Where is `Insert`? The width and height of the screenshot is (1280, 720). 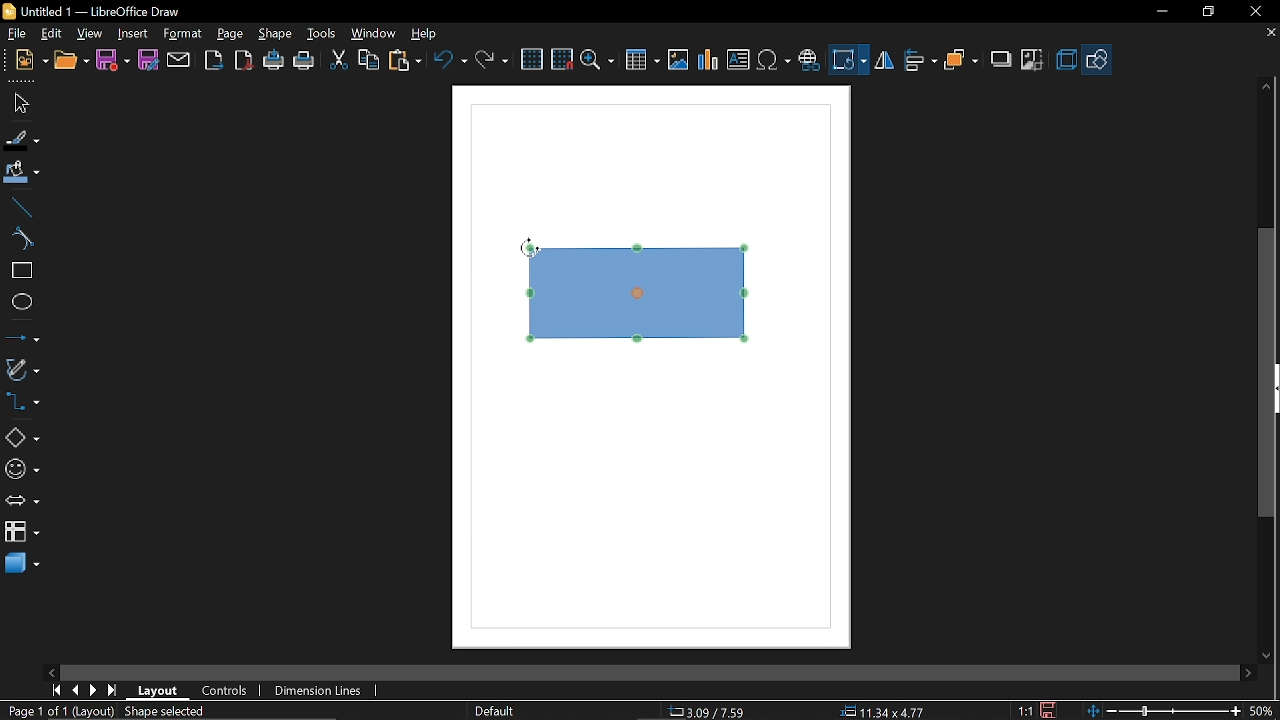
Insert is located at coordinates (134, 33).